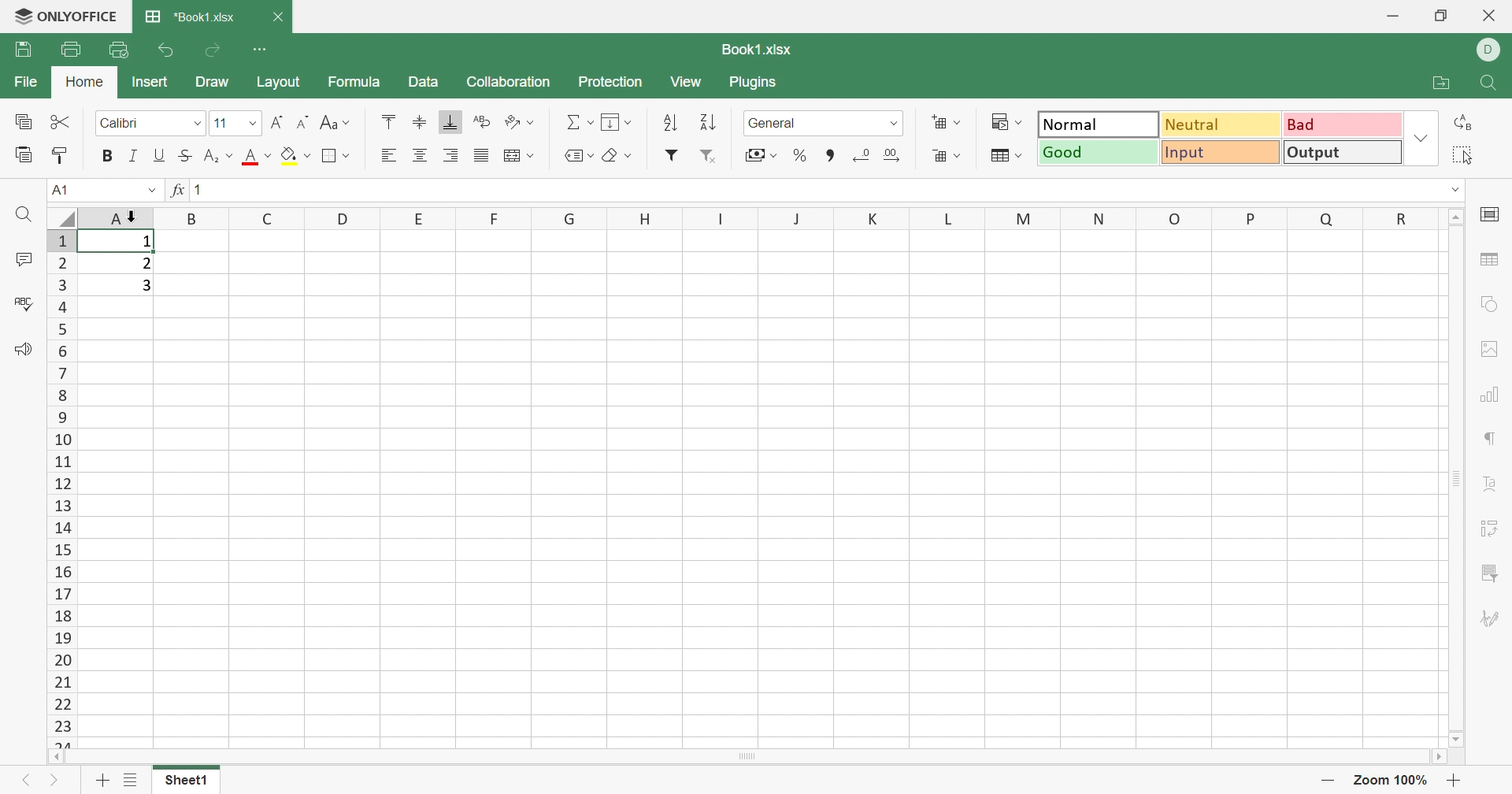  I want to click on Normal, so click(1099, 123).